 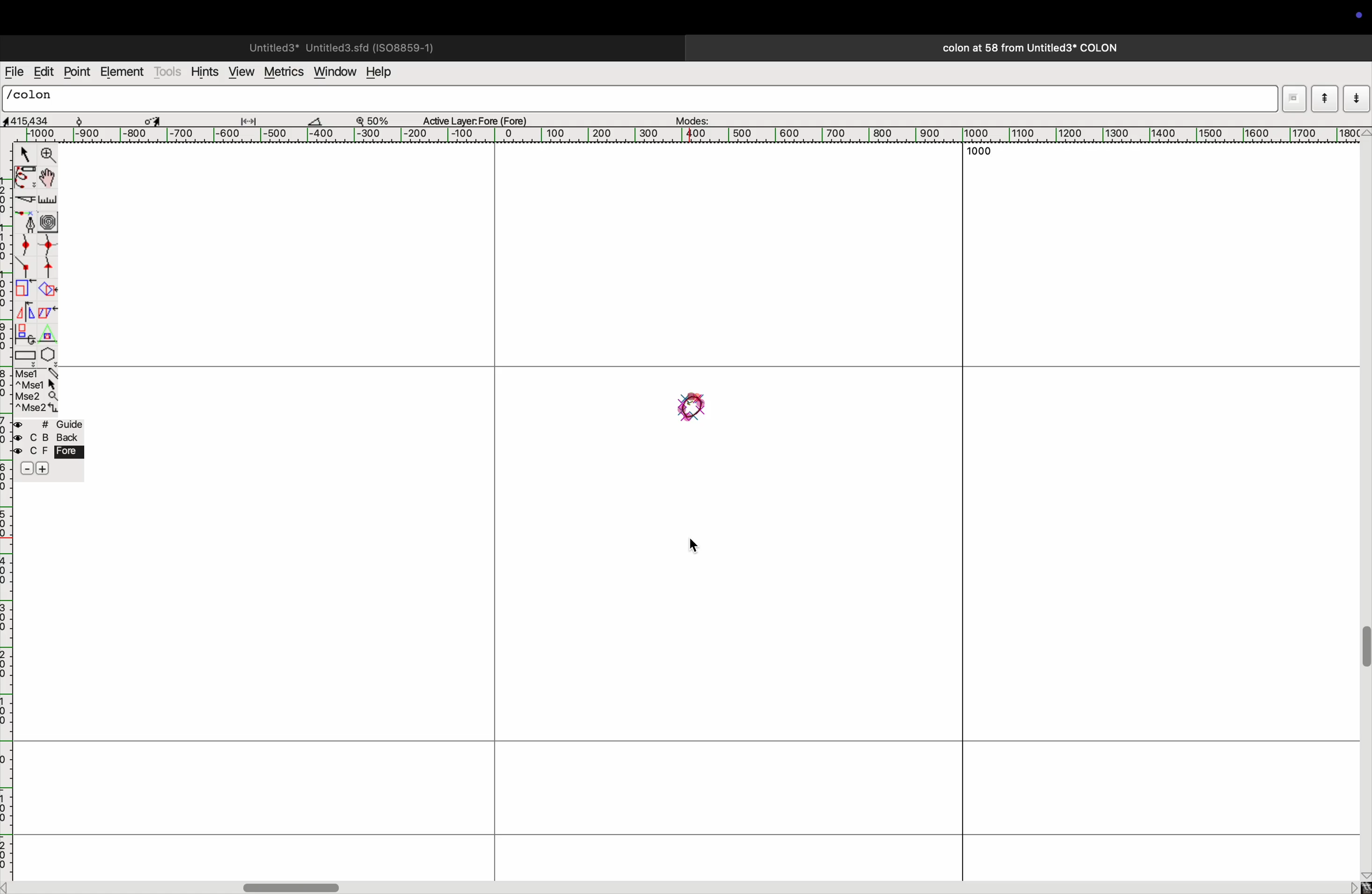 What do you see at coordinates (48, 201) in the screenshot?
I see `scale` at bounding box center [48, 201].